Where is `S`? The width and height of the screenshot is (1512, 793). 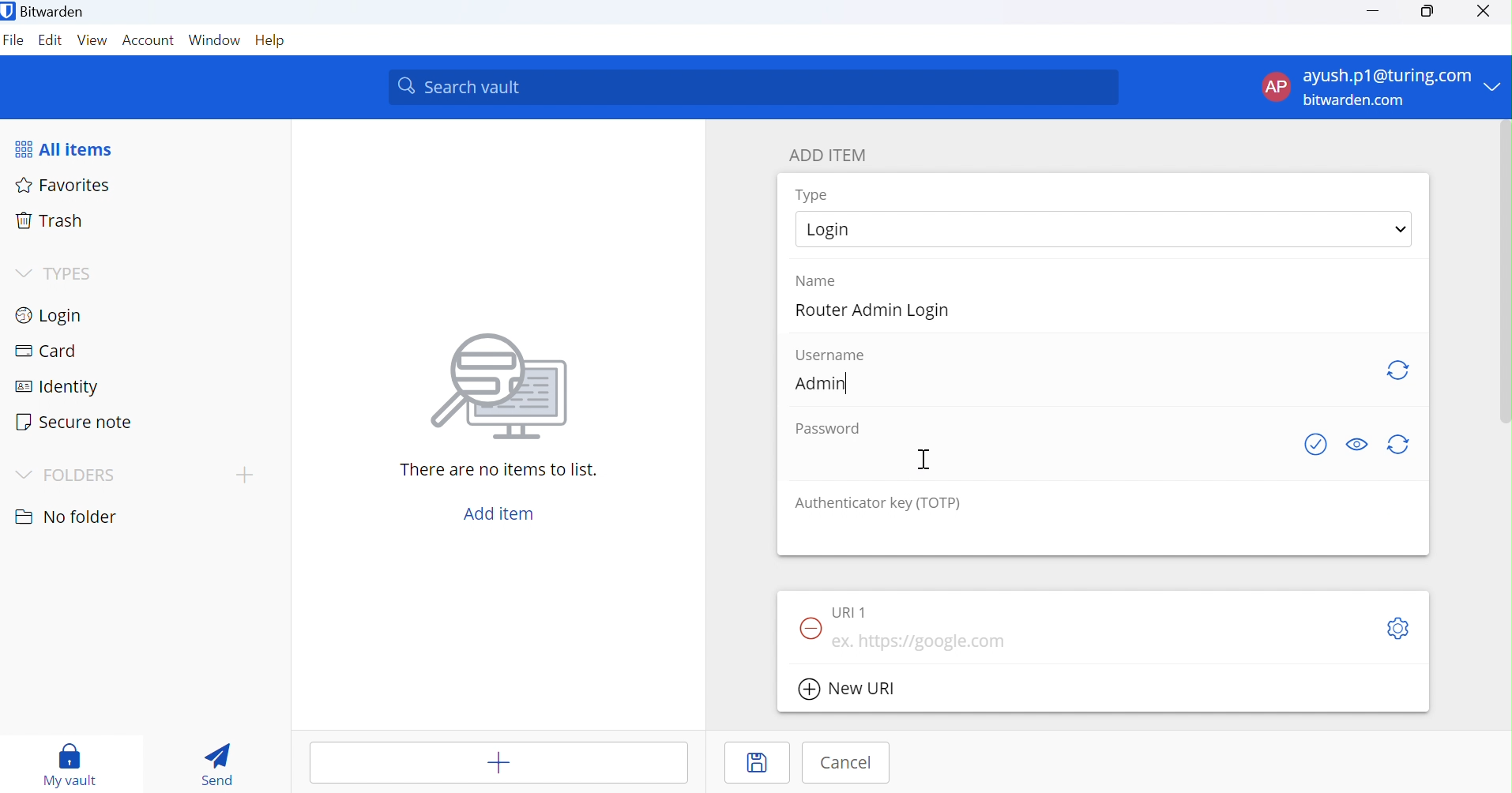 S is located at coordinates (1397, 630).